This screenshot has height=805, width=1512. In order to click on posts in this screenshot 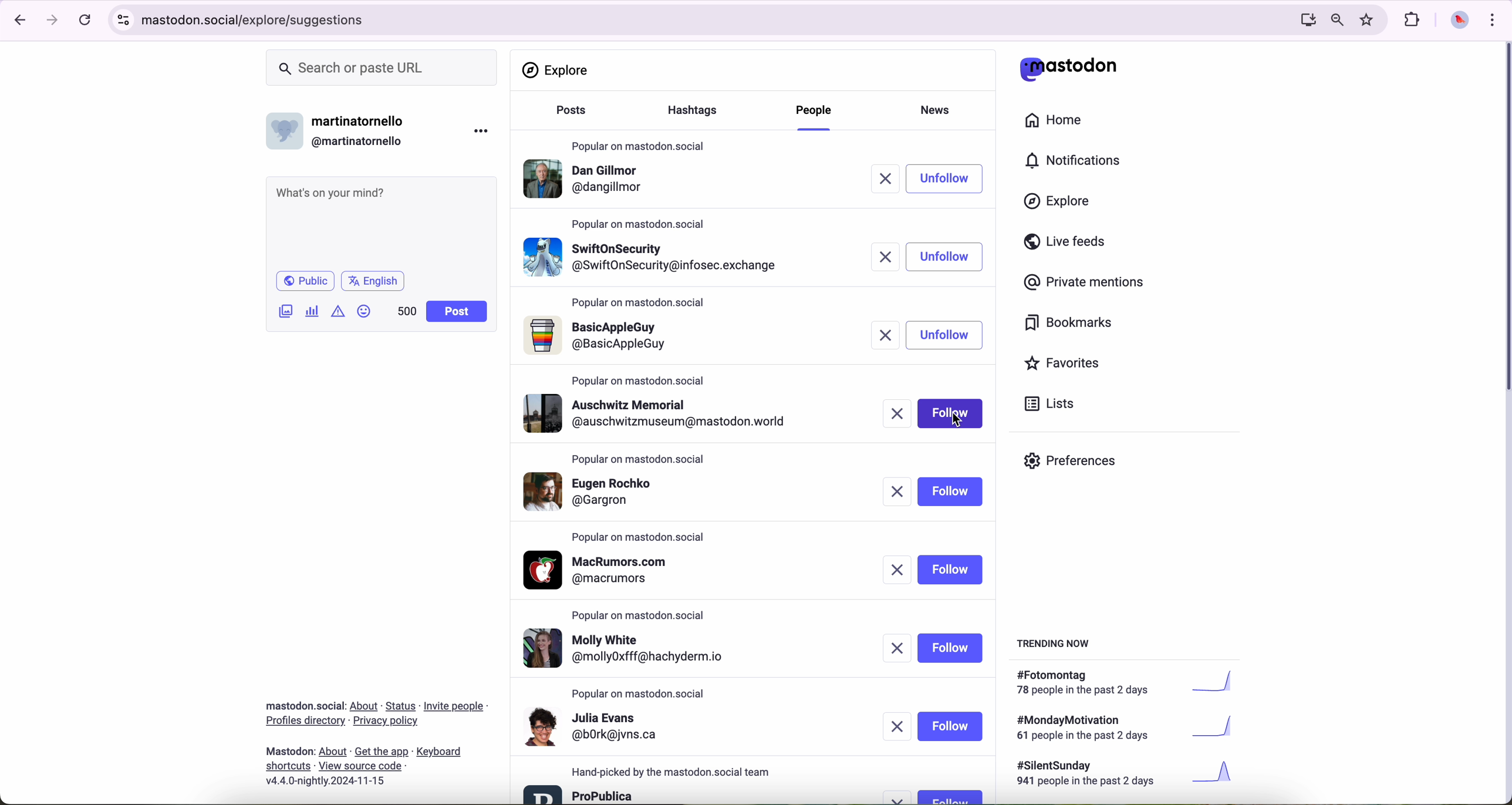, I will do `click(568, 116)`.